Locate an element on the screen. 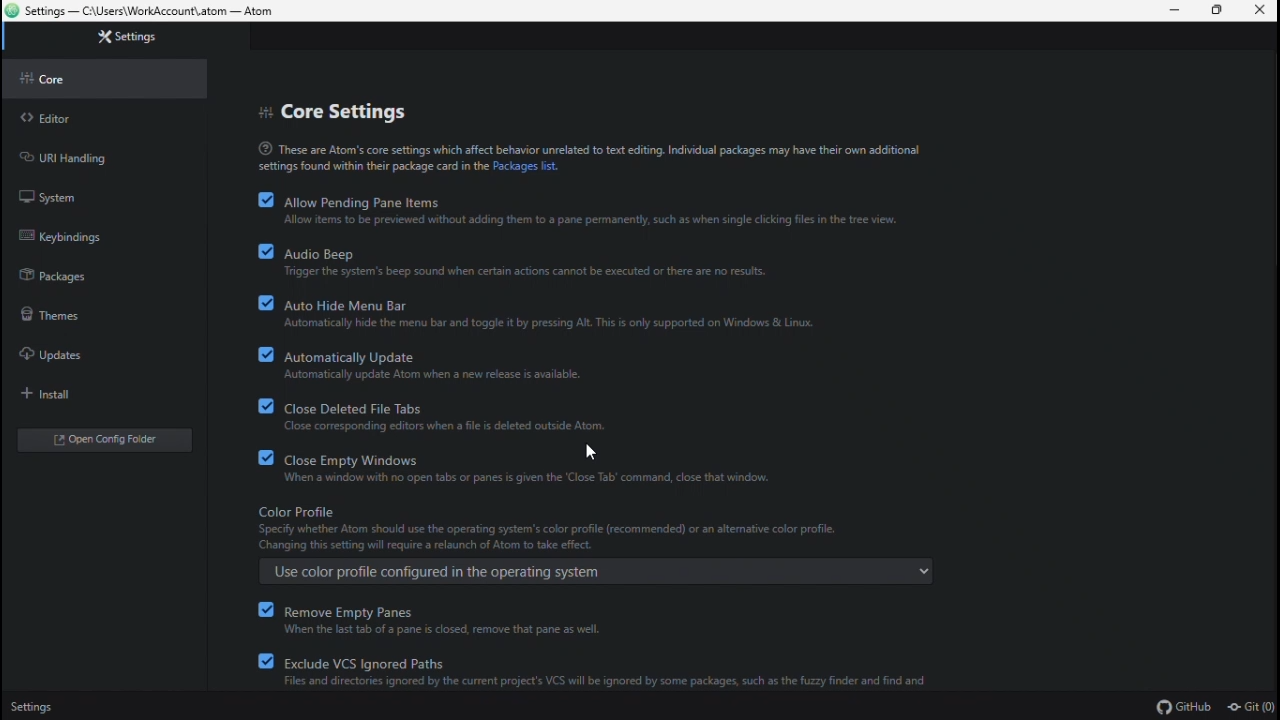 The image size is (1280, 720). auto hide menu bar  is located at coordinates (567, 315).